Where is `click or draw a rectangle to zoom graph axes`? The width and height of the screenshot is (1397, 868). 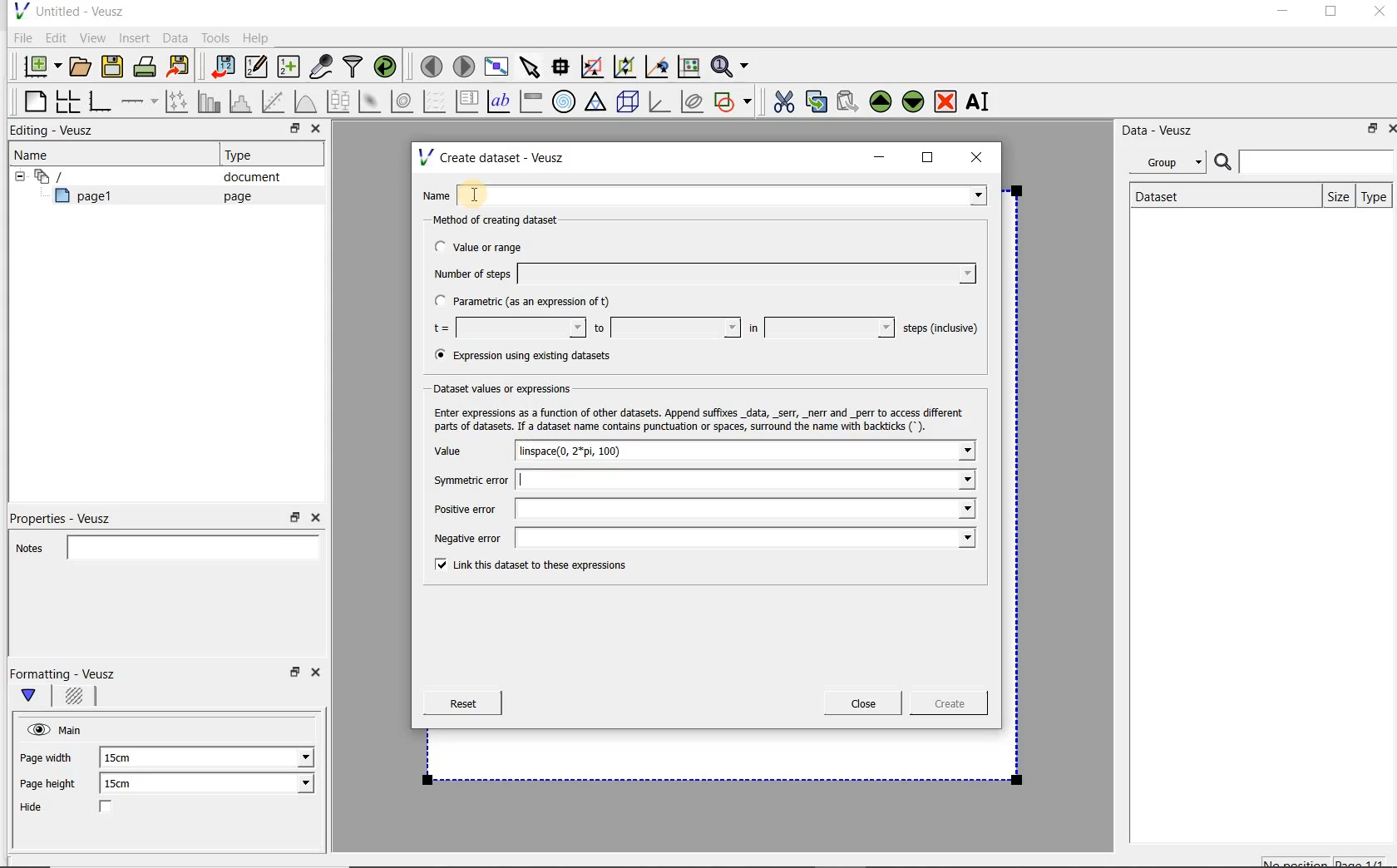 click or draw a rectangle to zoom graph axes is located at coordinates (595, 67).